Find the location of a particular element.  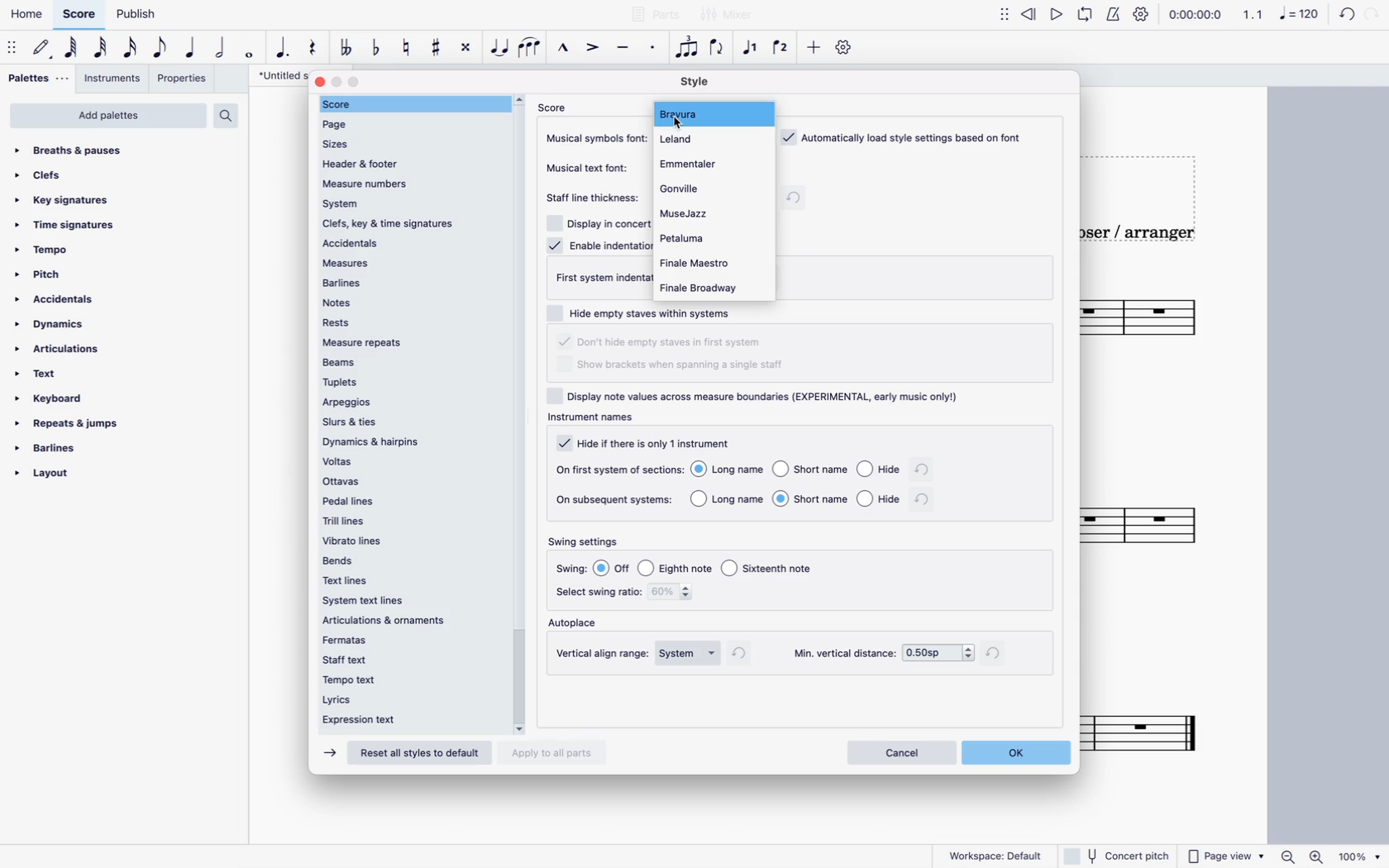

more is located at coordinates (1001, 12).